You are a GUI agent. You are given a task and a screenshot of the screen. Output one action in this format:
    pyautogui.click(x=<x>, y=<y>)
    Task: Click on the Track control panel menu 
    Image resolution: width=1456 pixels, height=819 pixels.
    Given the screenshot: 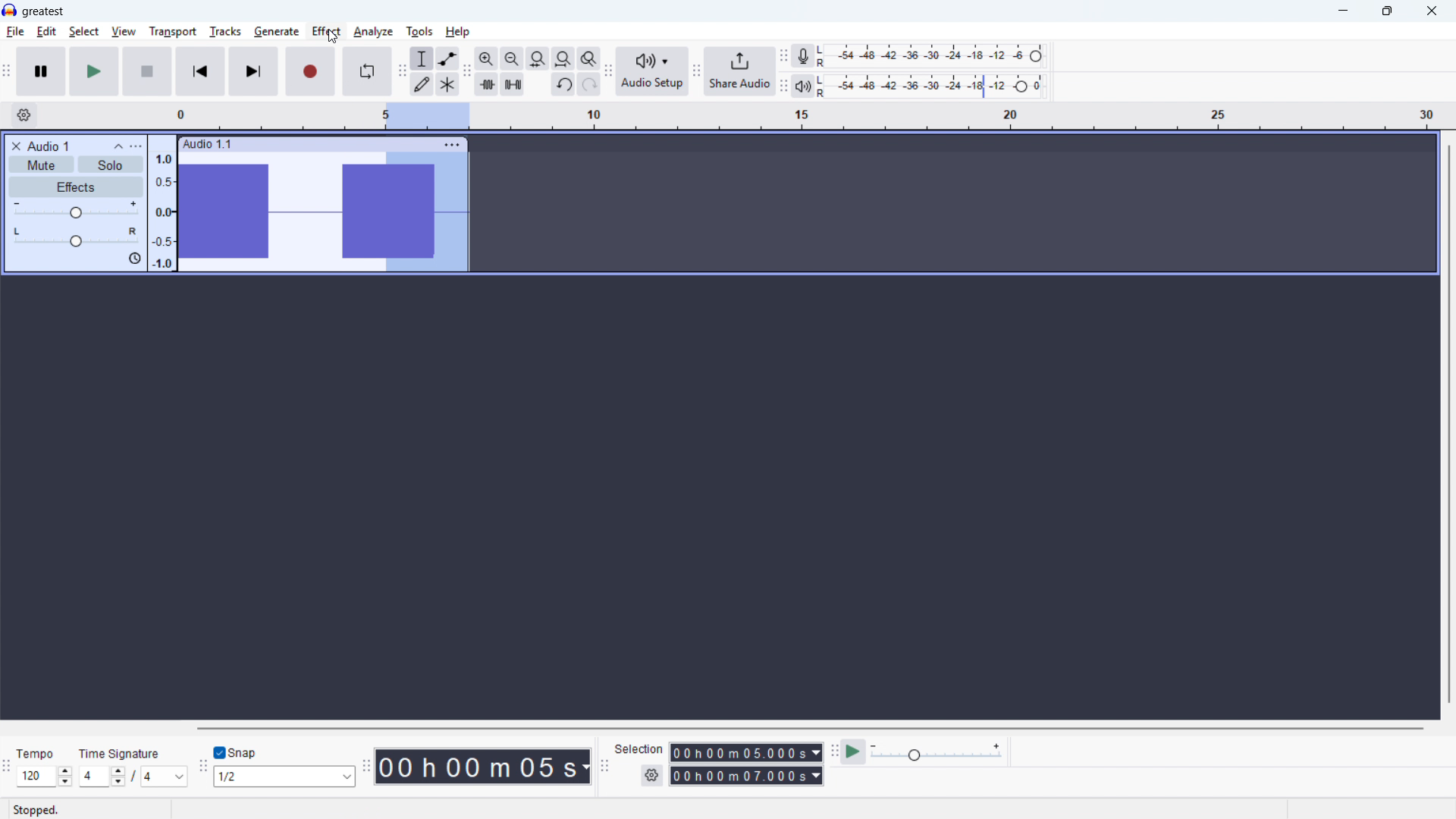 What is the action you would take?
    pyautogui.click(x=136, y=146)
    